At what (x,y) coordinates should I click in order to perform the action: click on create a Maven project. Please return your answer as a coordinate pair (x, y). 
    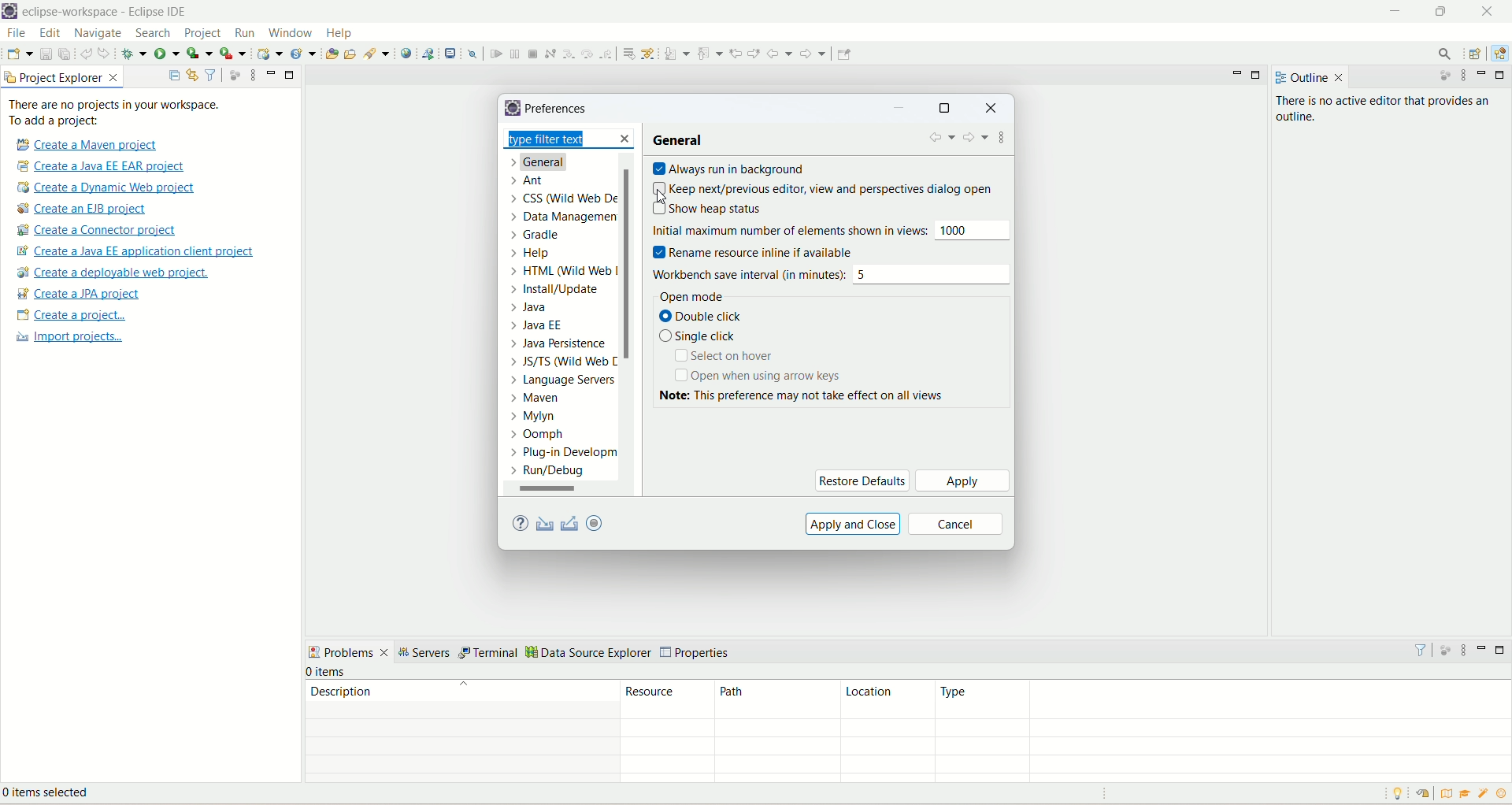
    Looking at the image, I should click on (83, 144).